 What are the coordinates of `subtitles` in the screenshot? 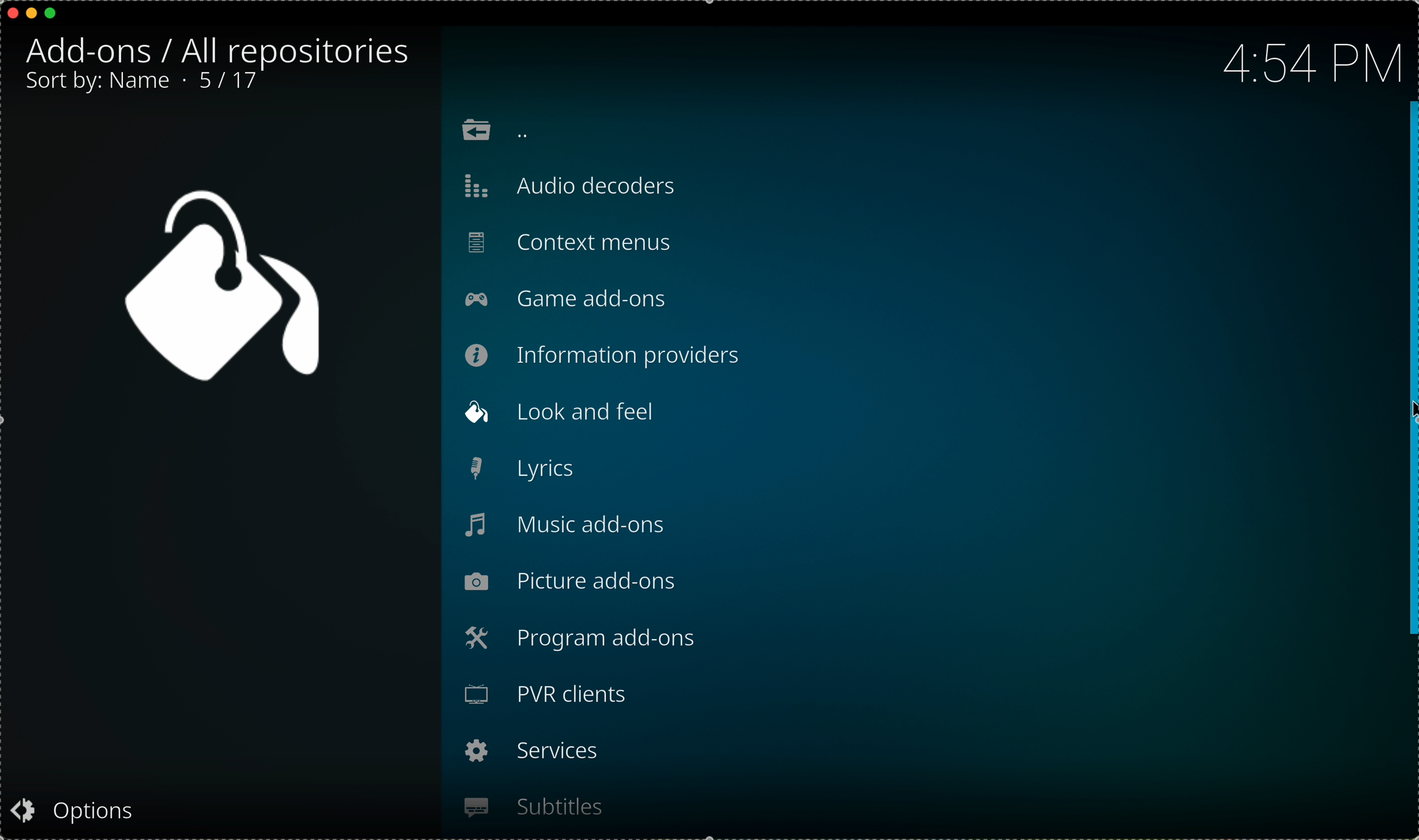 It's located at (533, 808).